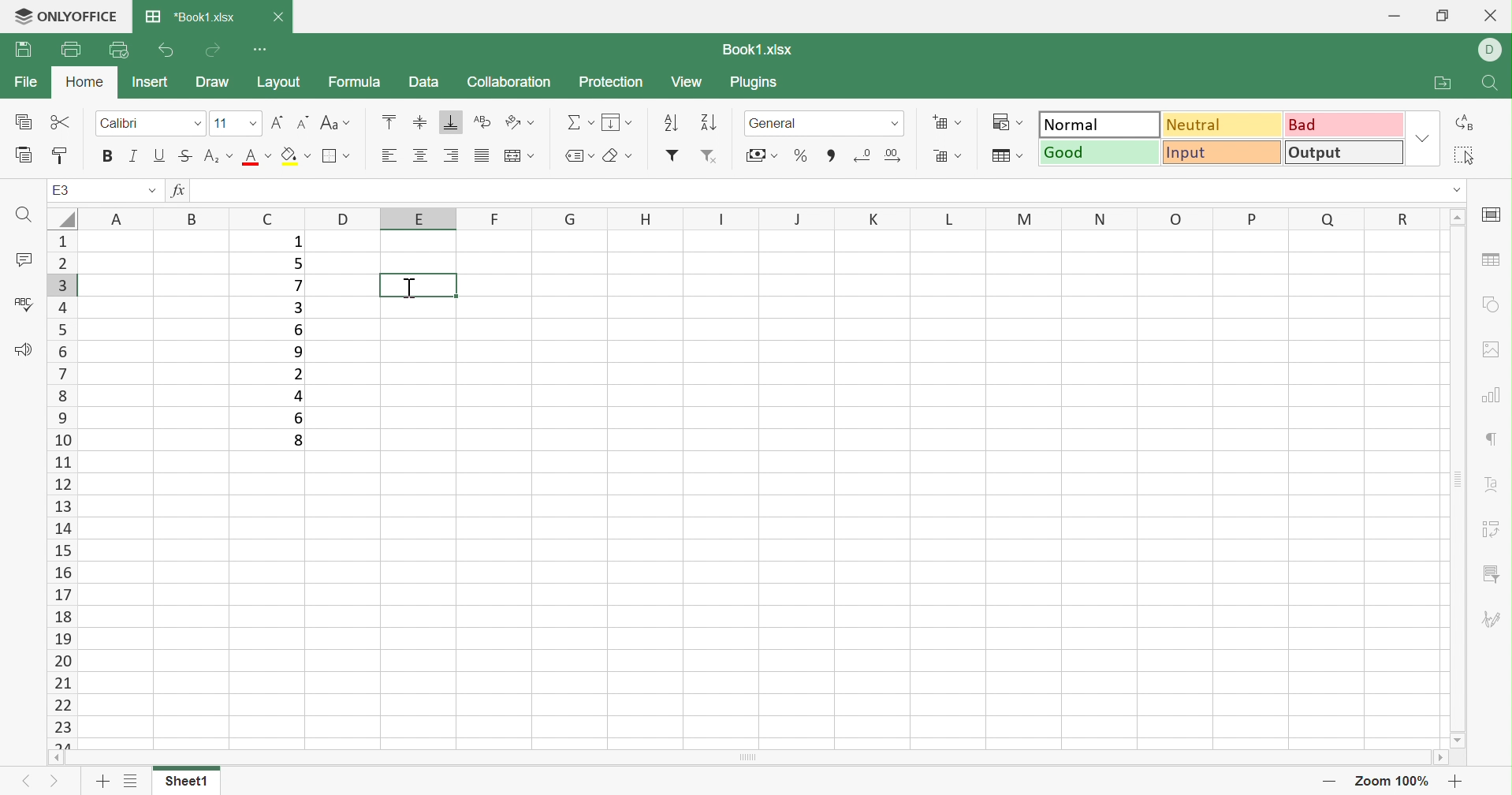 Image resolution: width=1512 pixels, height=795 pixels. What do you see at coordinates (1395, 17) in the screenshot?
I see `Minimize` at bounding box center [1395, 17].